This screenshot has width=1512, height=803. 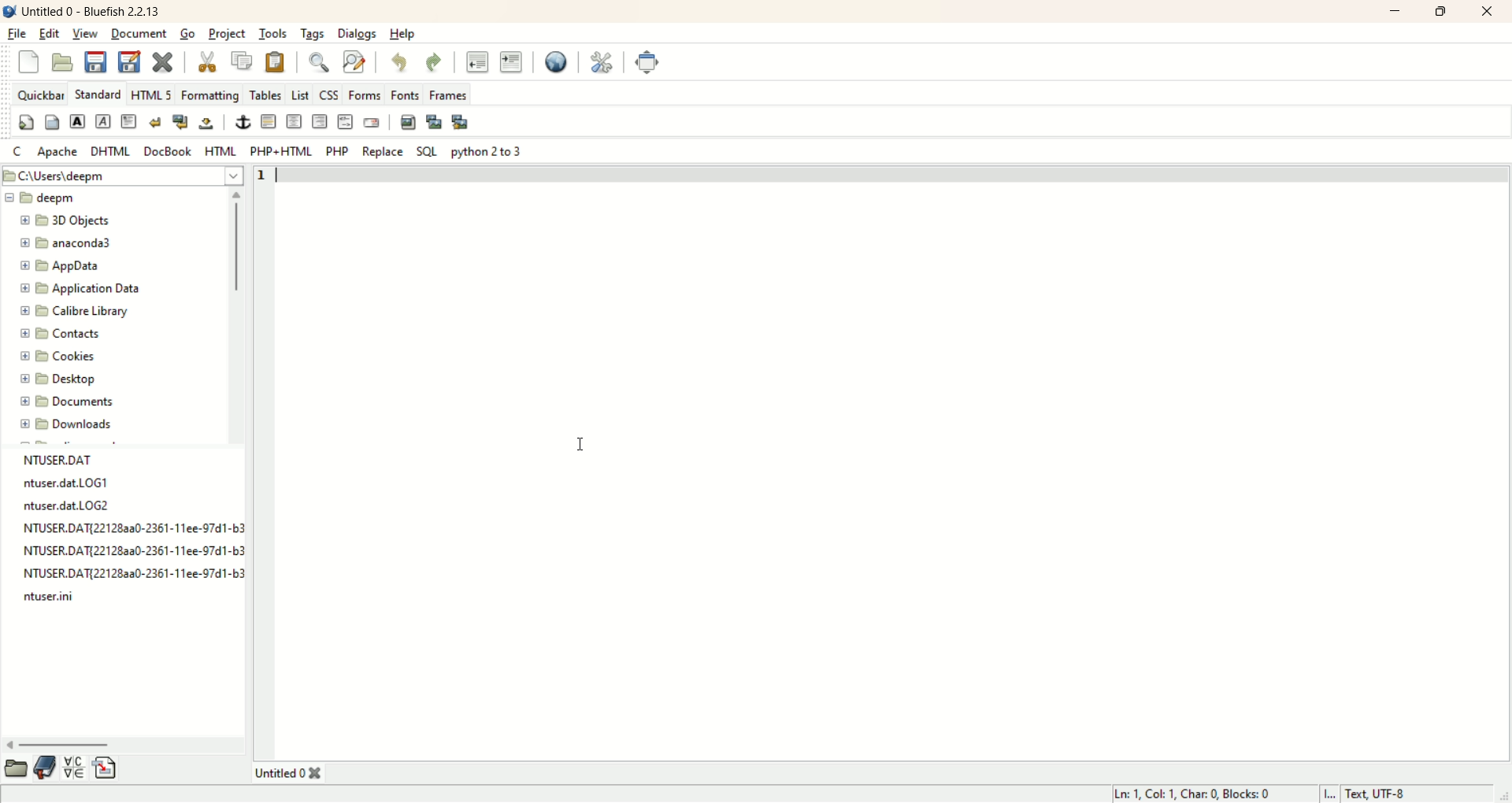 I want to click on tables, so click(x=268, y=96).